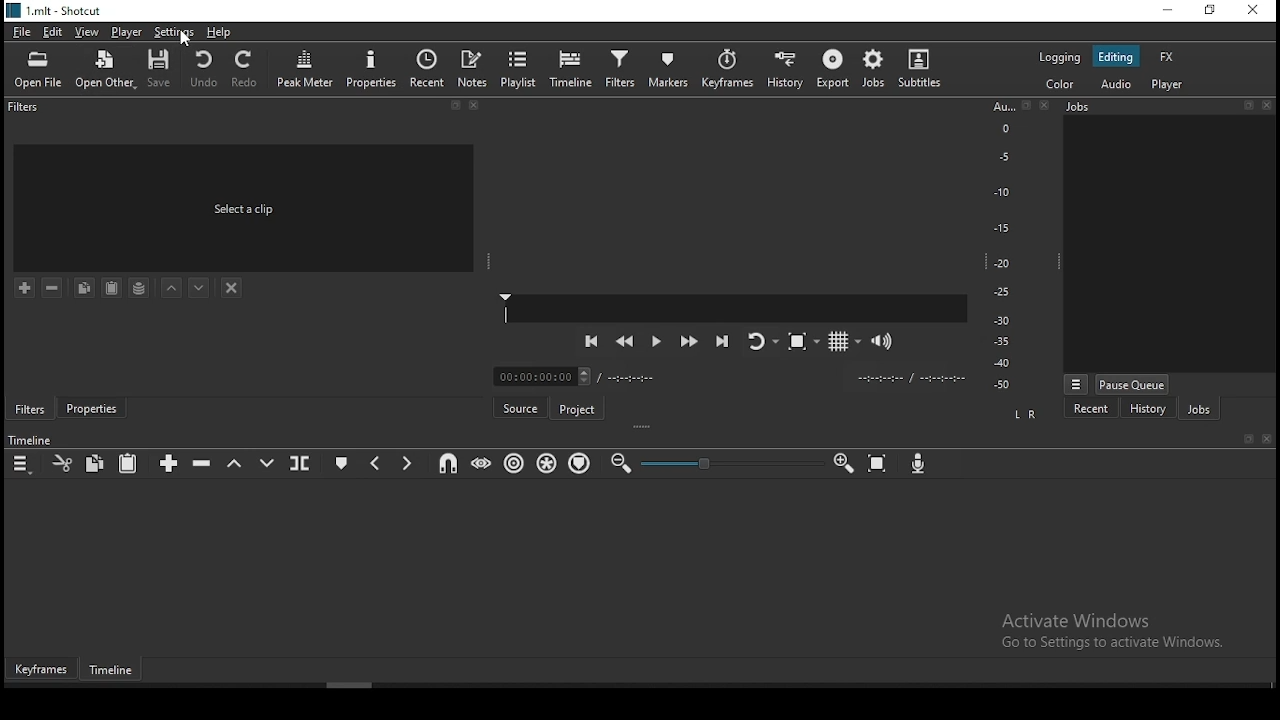  I want to click on toggle zoom, so click(800, 344).